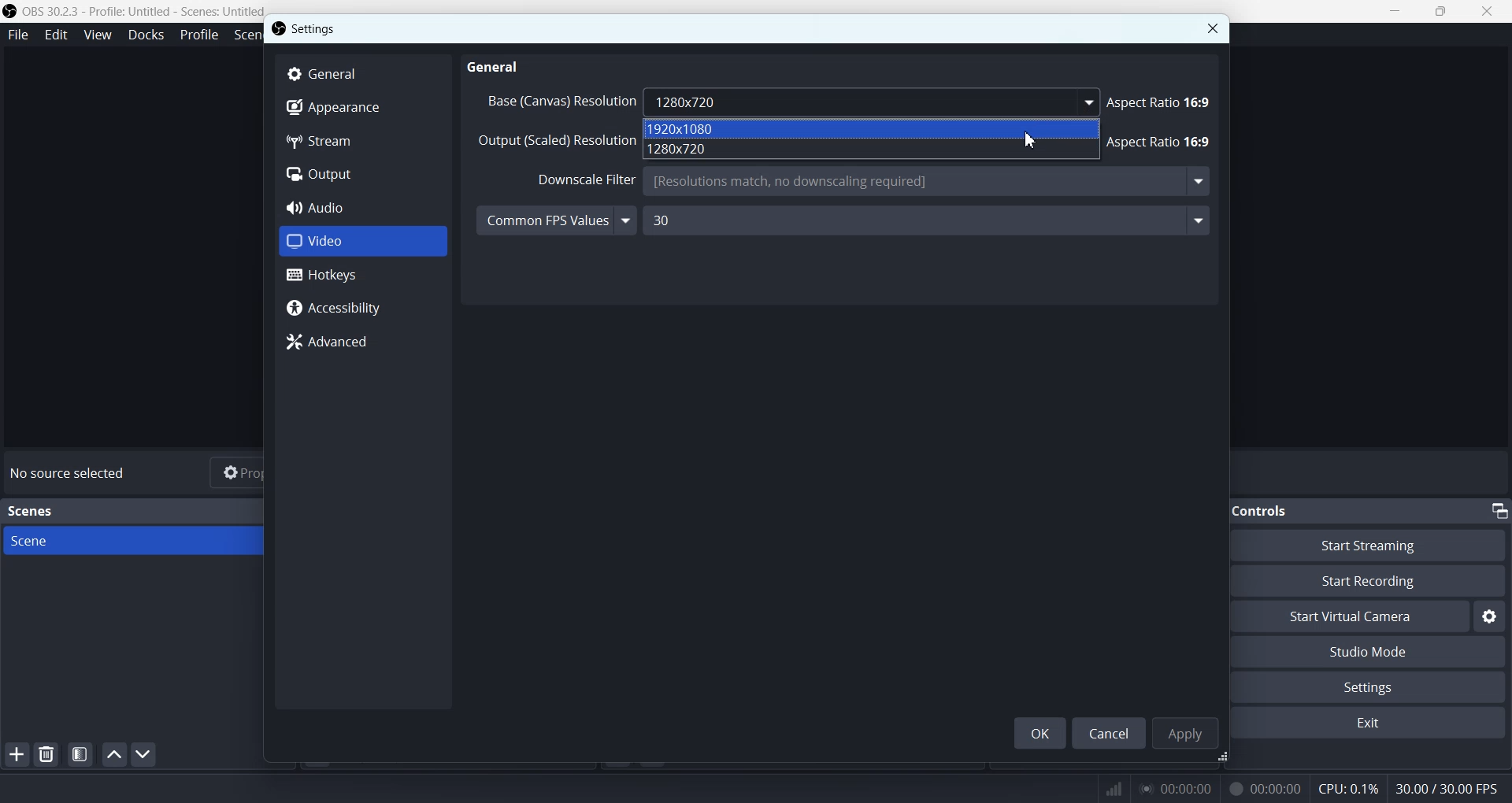 This screenshot has width=1512, height=803. What do you see at coordinates (556, 219) in the screenshot?
I see `Common FPS Values` at bounding box center [556, 219].